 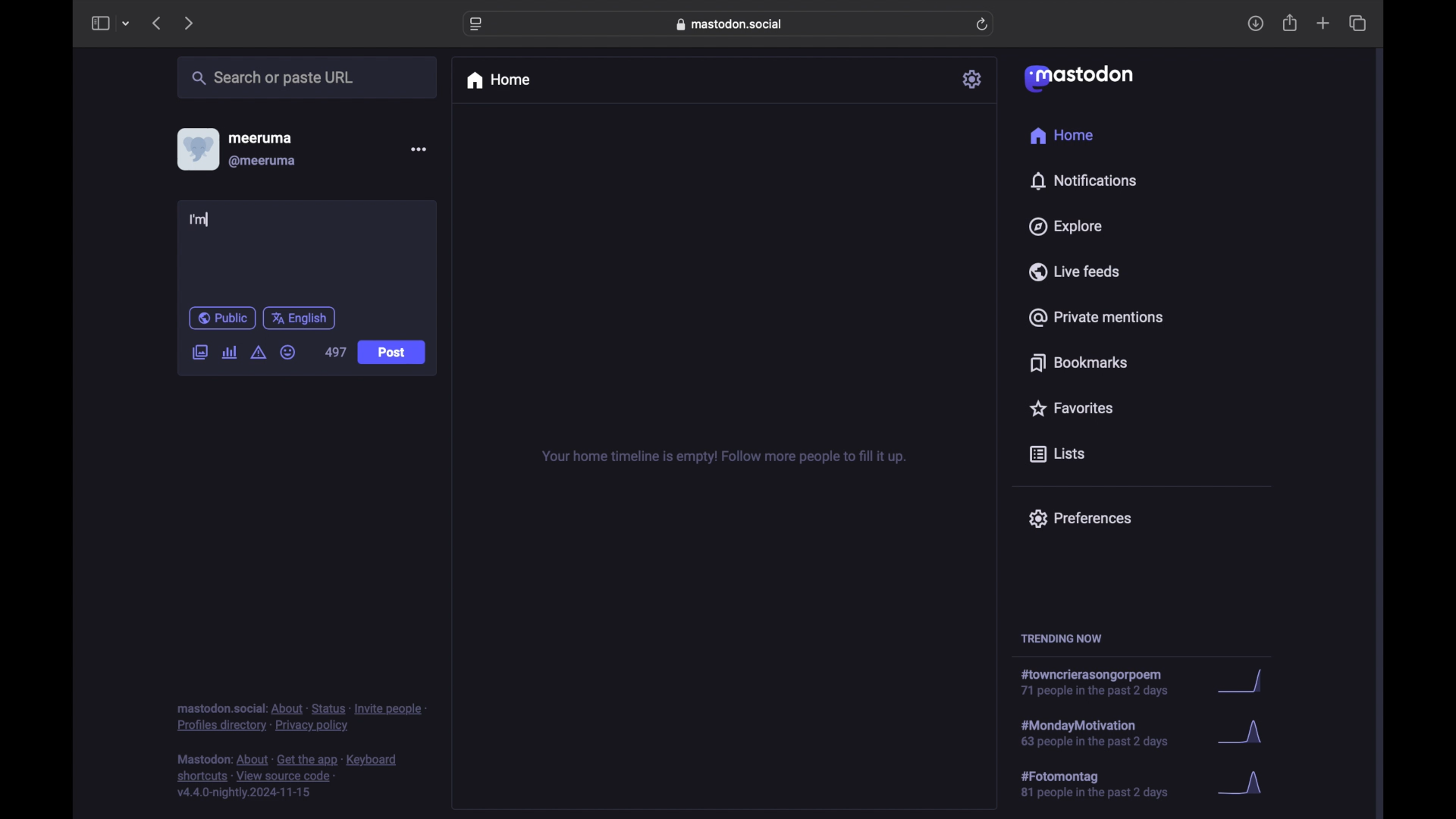 What do you see at coordinates (287, 352) in the screenshot?
I see `emoji` at bounding box center [287, 352].